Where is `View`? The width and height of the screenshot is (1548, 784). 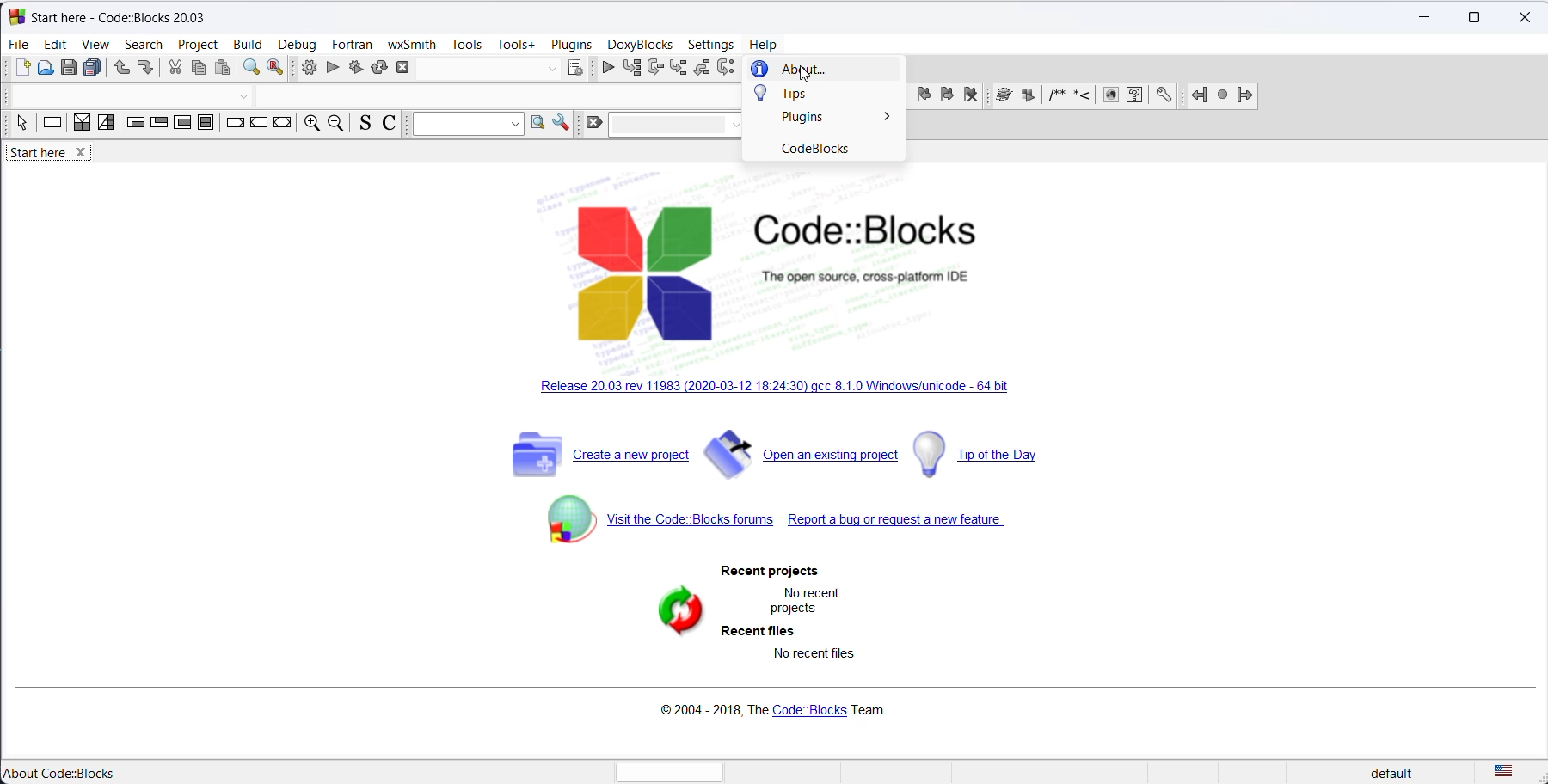
View is located at coordinates (97, 44).